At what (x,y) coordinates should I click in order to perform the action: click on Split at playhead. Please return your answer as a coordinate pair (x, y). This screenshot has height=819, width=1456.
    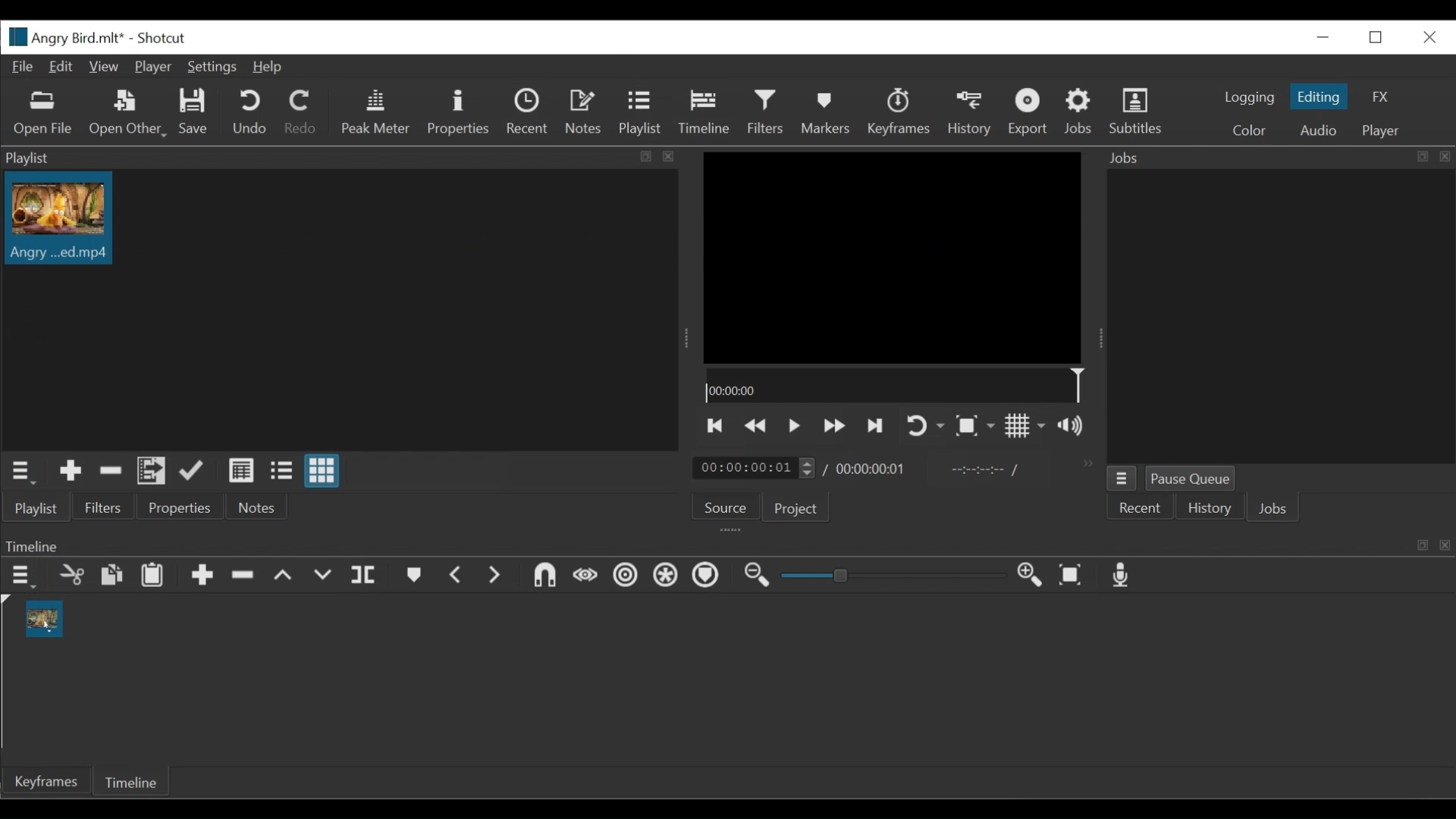
    Looking at the image, I should click on (366, 575).